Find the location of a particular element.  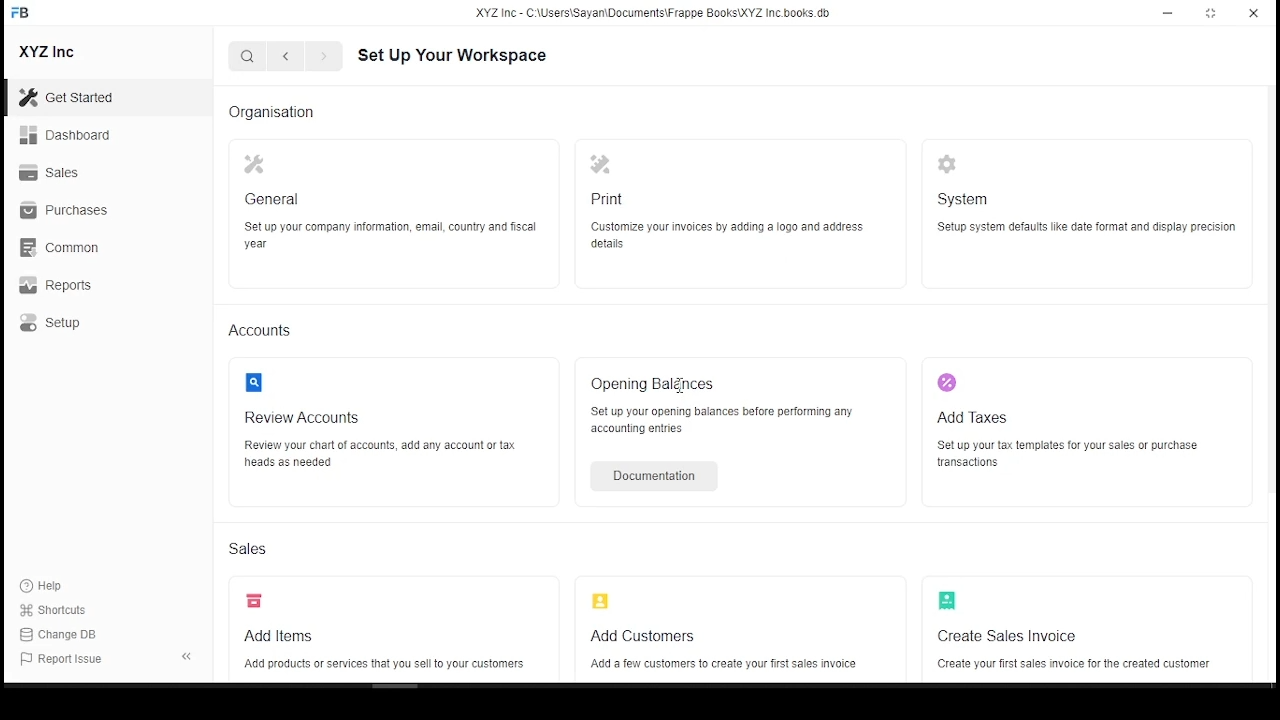

add a few customers to create your first sales invoice is located at coordinates (717, 665).